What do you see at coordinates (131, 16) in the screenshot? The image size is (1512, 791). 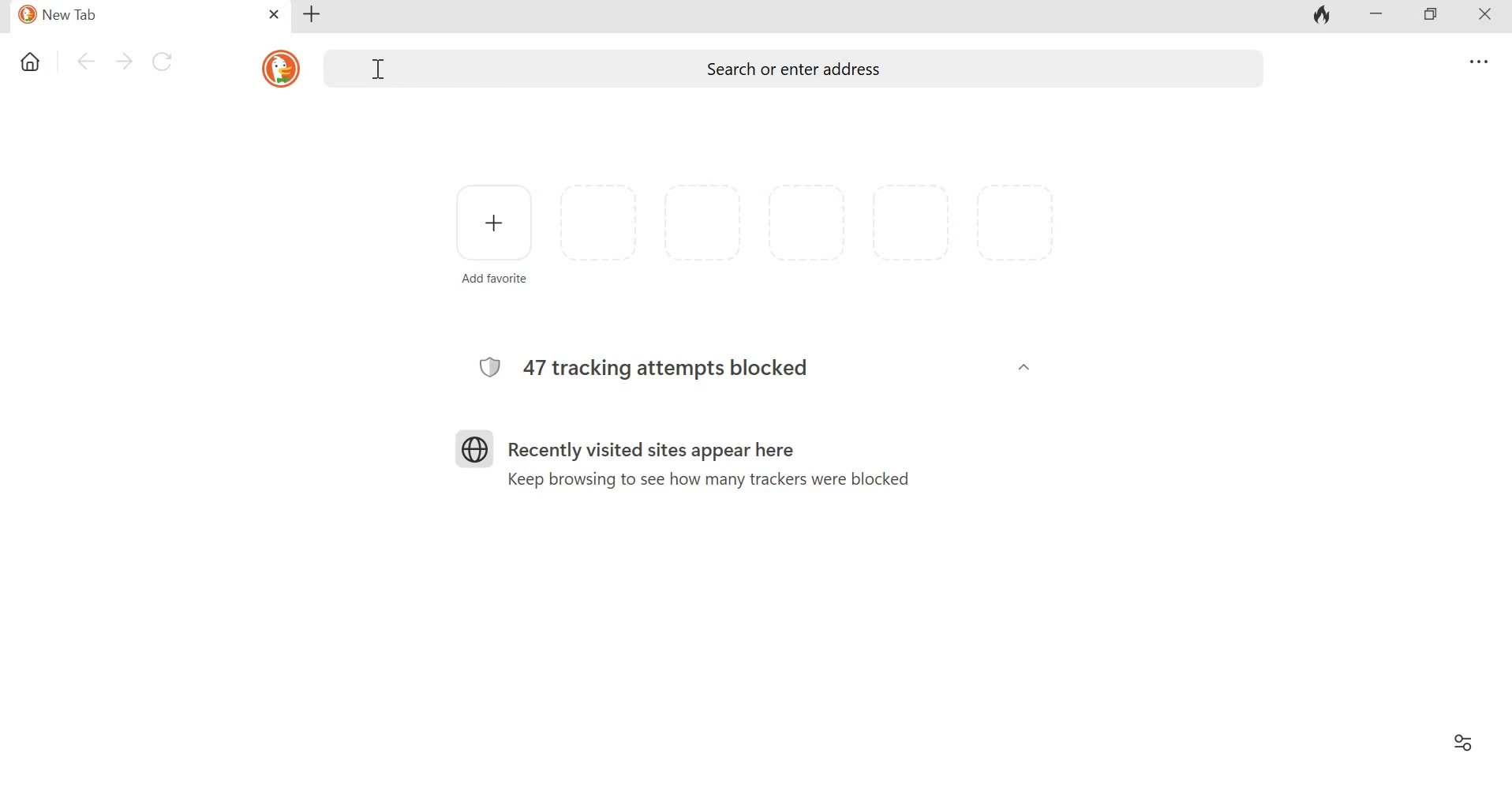 I see `Current tab` at bounding box center [131, 16].